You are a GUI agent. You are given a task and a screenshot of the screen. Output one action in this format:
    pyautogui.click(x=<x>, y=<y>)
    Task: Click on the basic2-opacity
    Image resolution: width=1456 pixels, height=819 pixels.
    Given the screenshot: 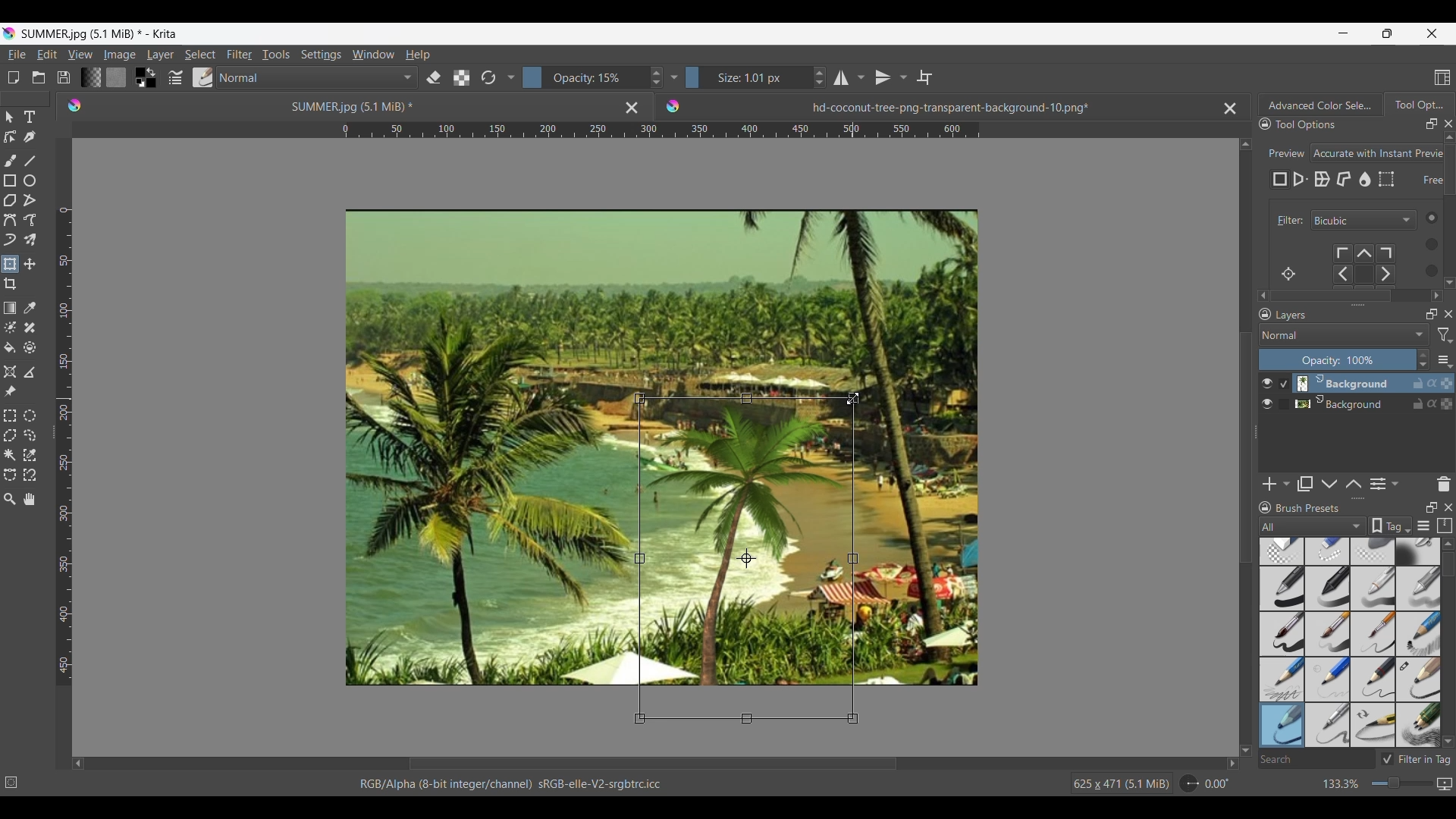 What is the action you would take?
    pyautogui.click(x=1328, y=588)
    